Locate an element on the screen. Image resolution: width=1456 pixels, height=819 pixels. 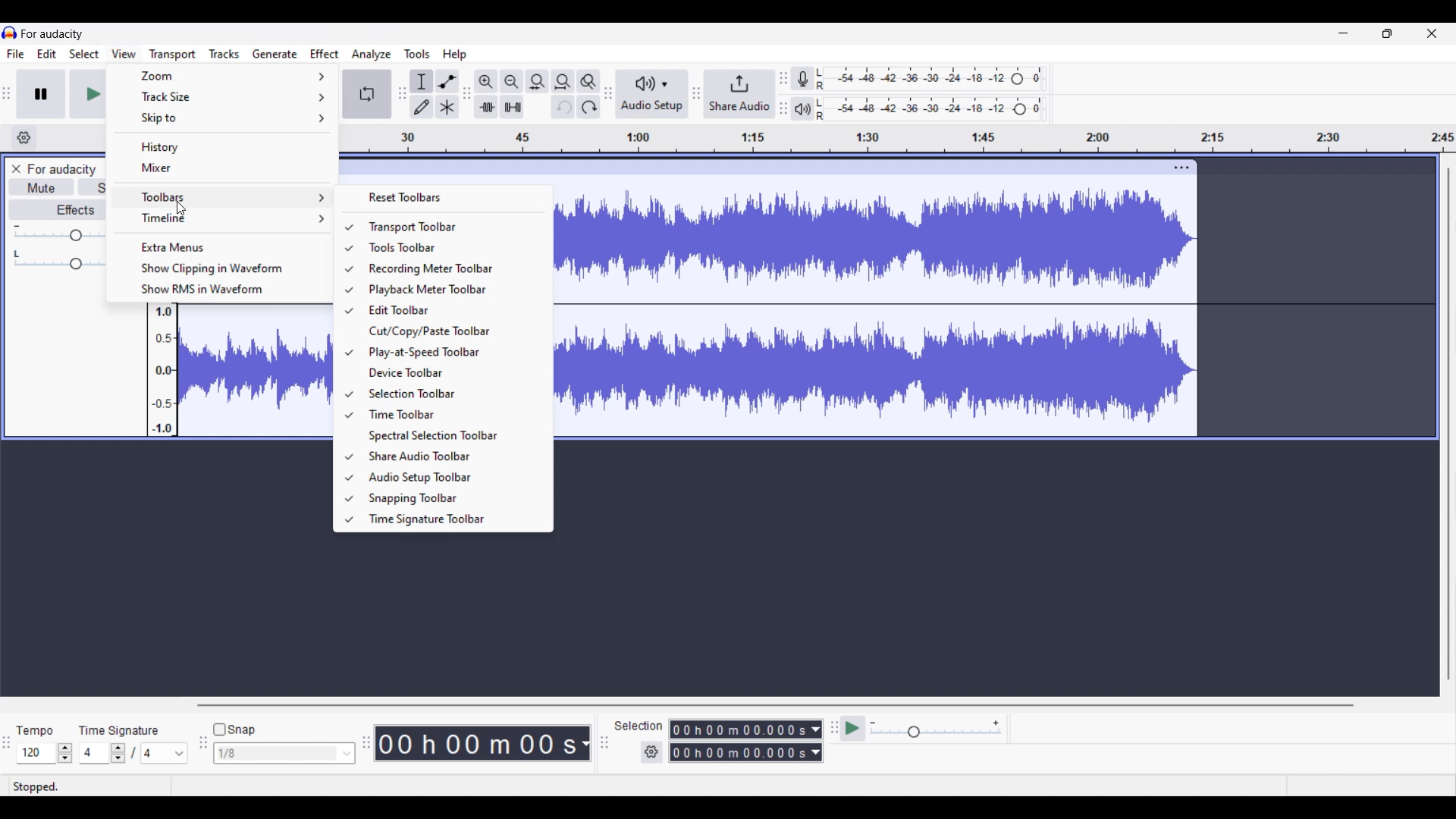
tempo is located at coordinates (35, 731).